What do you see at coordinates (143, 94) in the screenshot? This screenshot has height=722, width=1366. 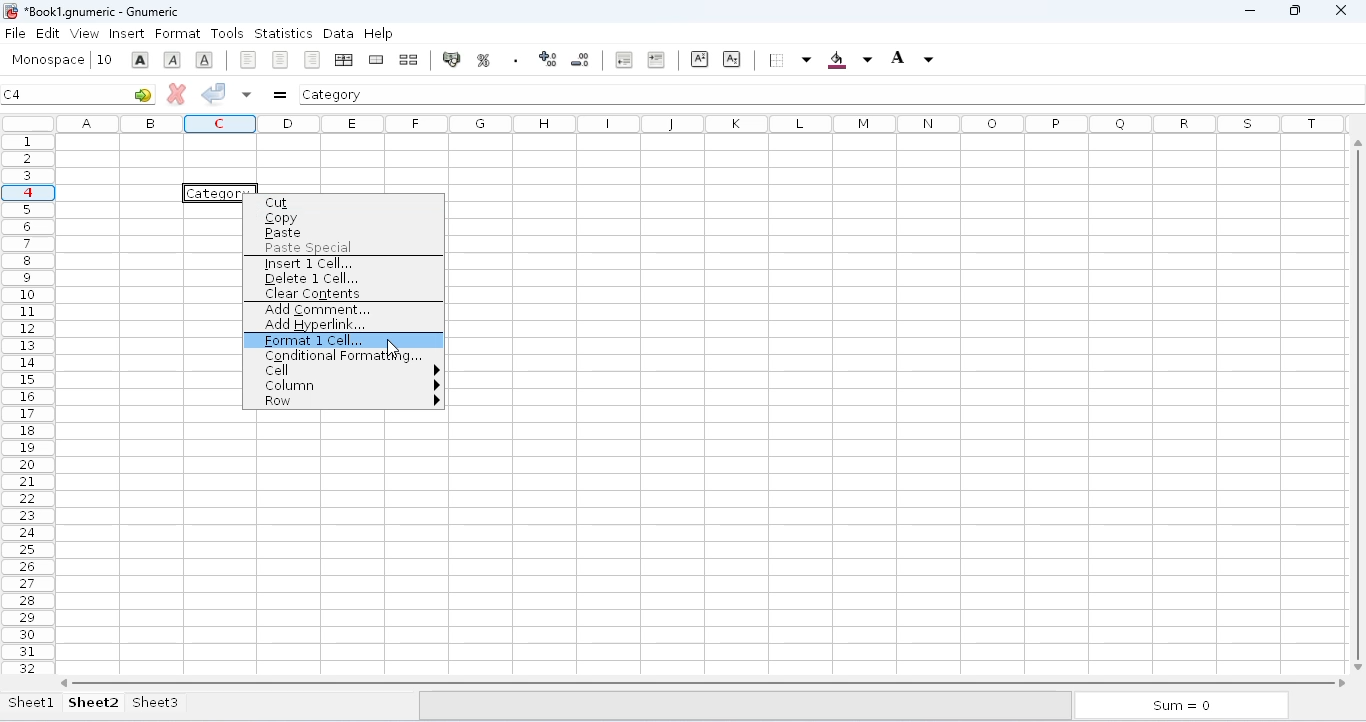 I see `go-to` at bounding box center [143, 94].